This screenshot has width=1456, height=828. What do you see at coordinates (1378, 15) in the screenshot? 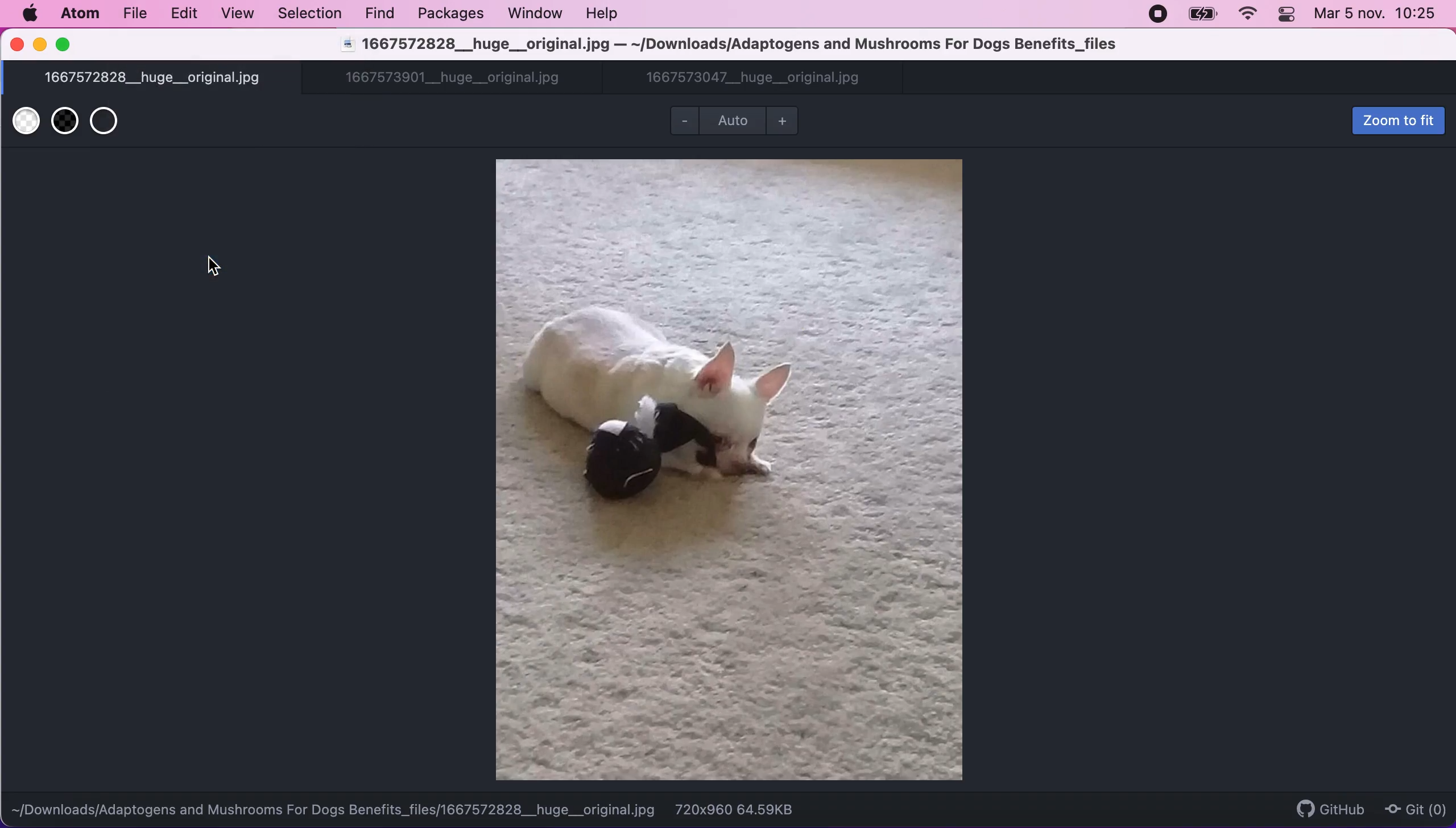
I see `Mar 5 nov. 10:25` at bounding box center [1378, 15].